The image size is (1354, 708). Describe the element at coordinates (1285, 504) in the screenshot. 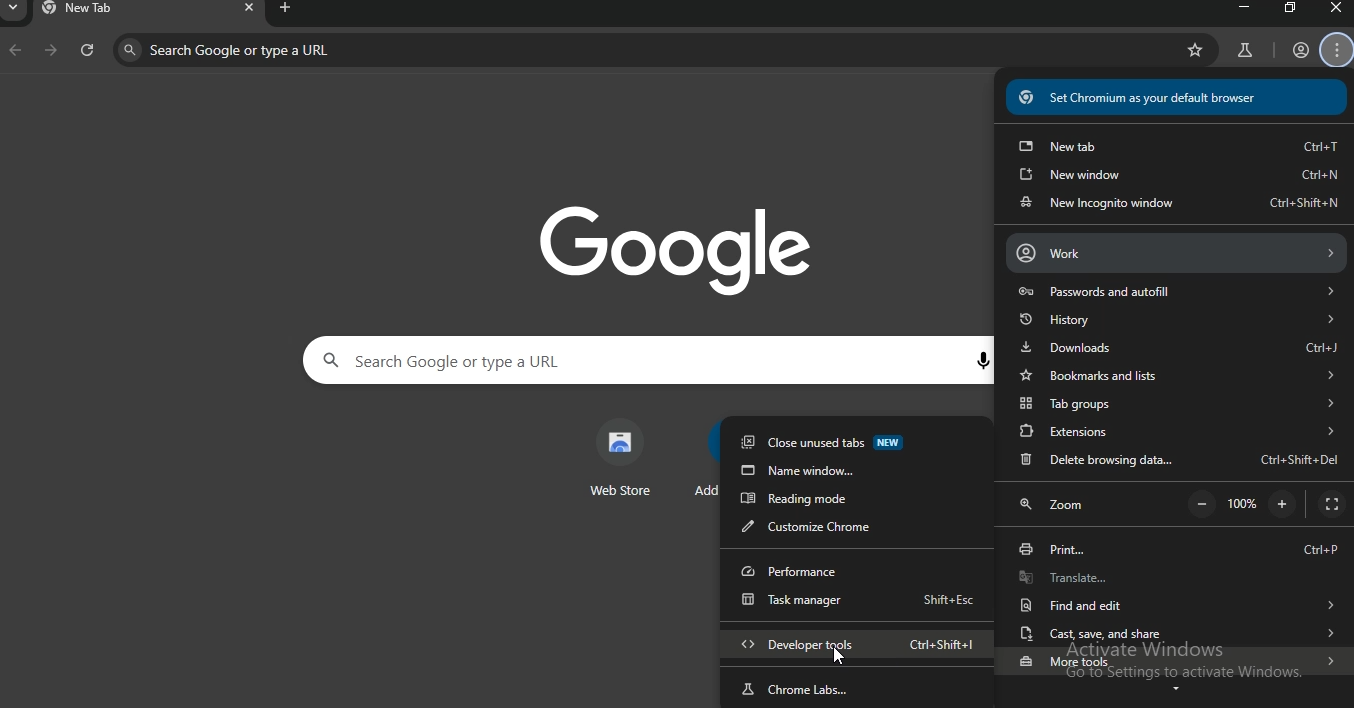

I see `zoom in` at that location.